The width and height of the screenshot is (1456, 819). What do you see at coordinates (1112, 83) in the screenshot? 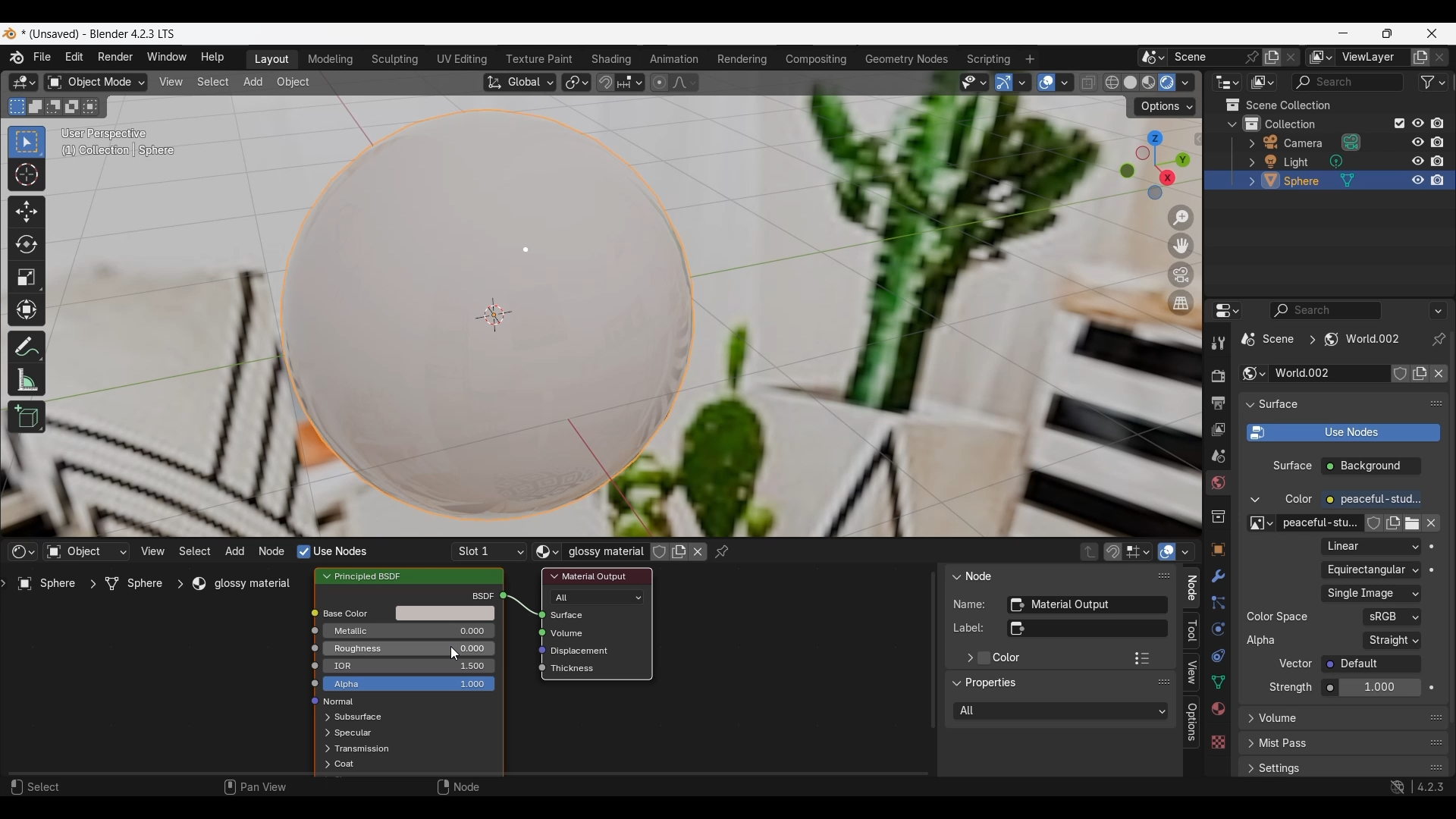
I see `Viewport shading: wireframe` at bounding box center [1112, 83].